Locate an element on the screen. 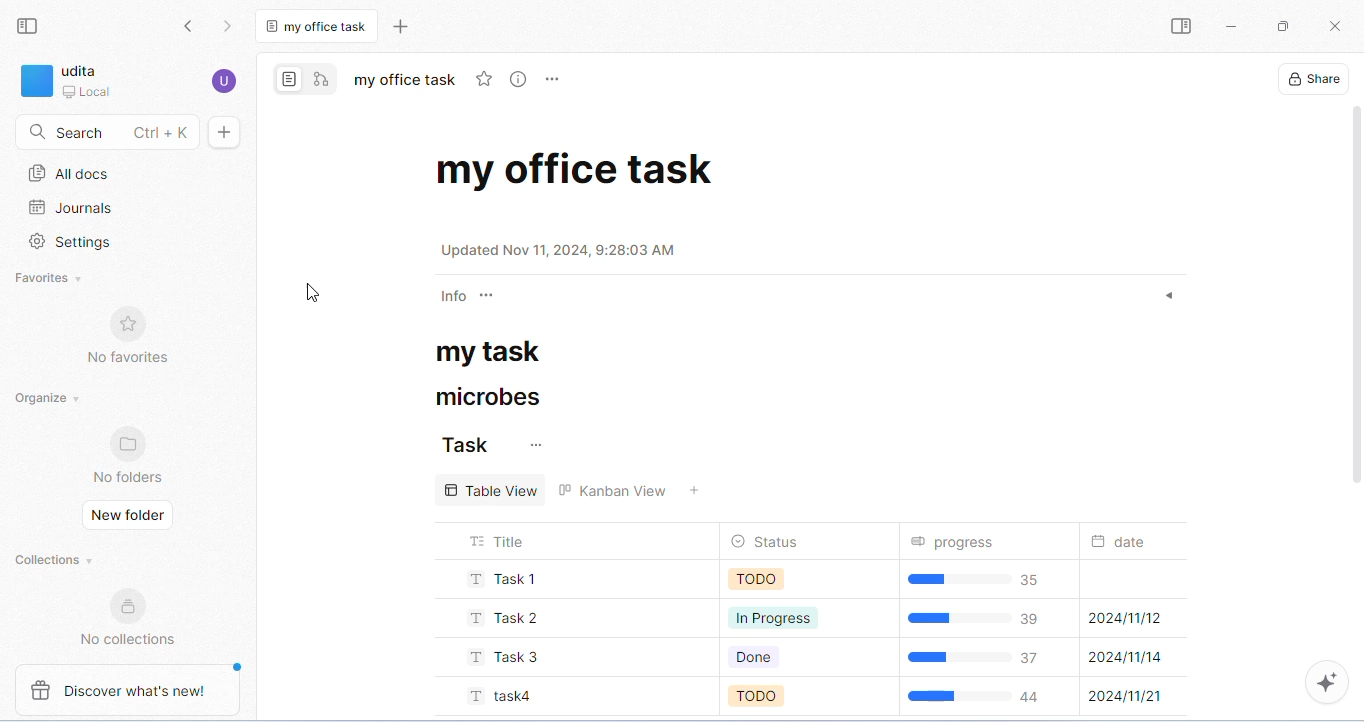 The height and width of the screenshot is (722, 1364). new folder is located at coordinates (130, 517).